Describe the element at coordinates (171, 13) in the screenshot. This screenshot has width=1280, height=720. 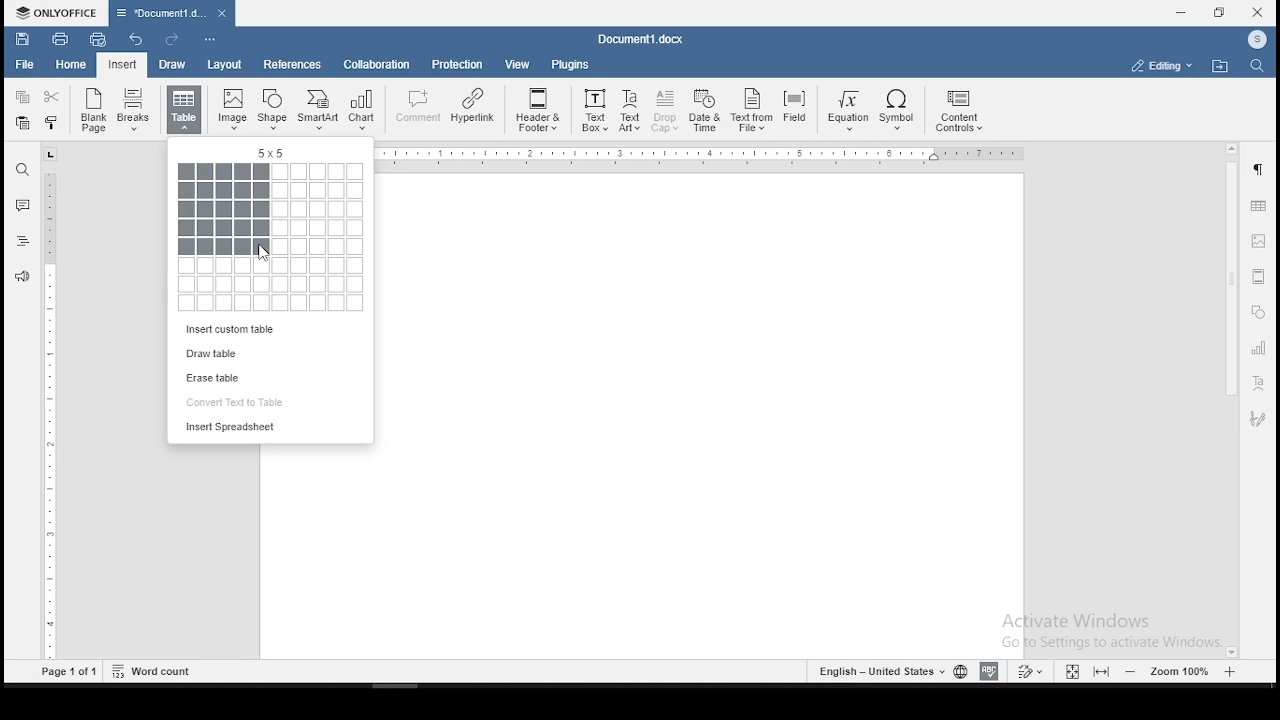
I see `Document3.docx` at that location.